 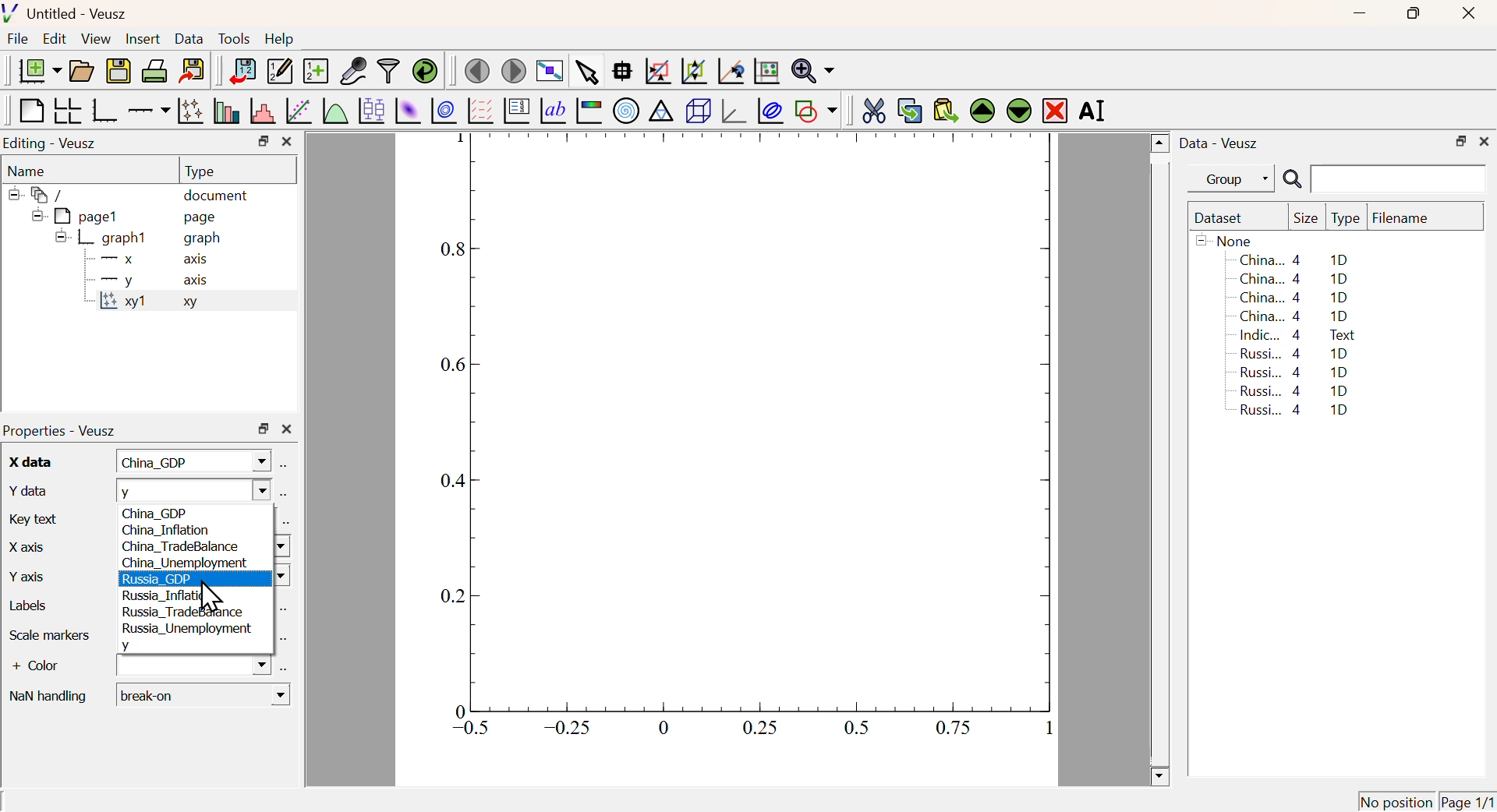 What do you see at coordinates (1018, 110) in the screenshot?
I see `Move Down` at bounding box center [1018, 110].